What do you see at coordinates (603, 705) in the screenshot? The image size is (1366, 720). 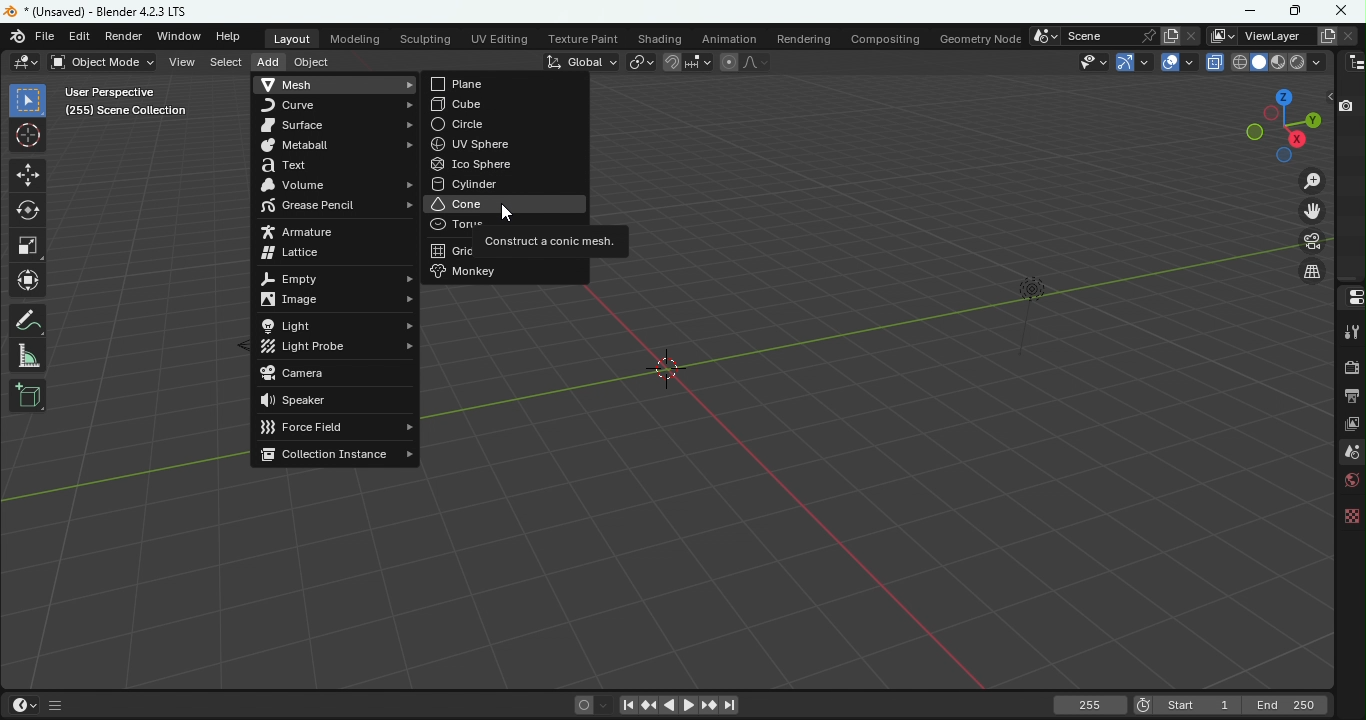 I see `Auto keyframing` at bounding box center [603, 705].